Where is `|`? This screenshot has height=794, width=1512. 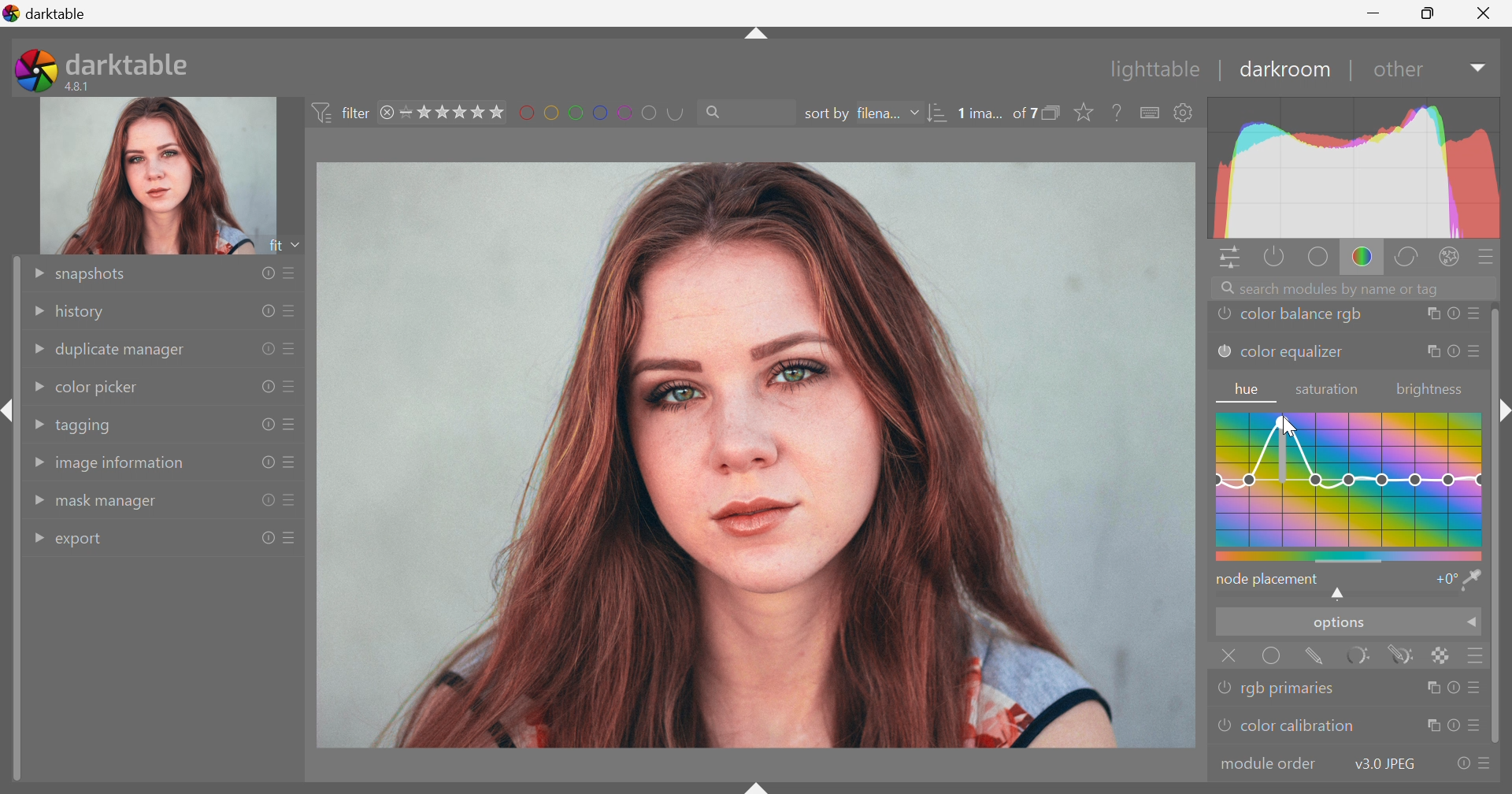
| is located at coordinates (1350, 70).